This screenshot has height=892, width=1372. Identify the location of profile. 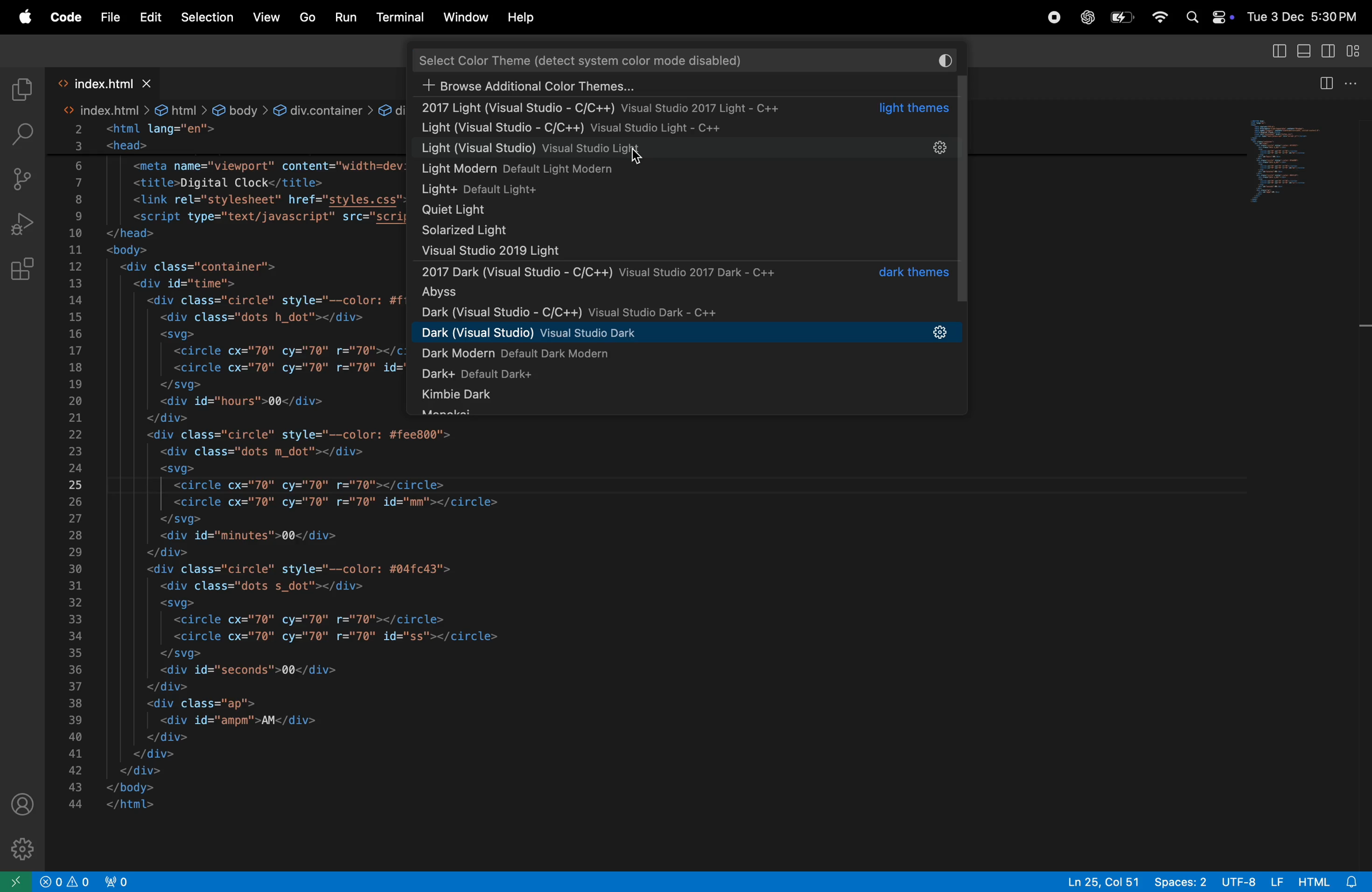
(20, 803).